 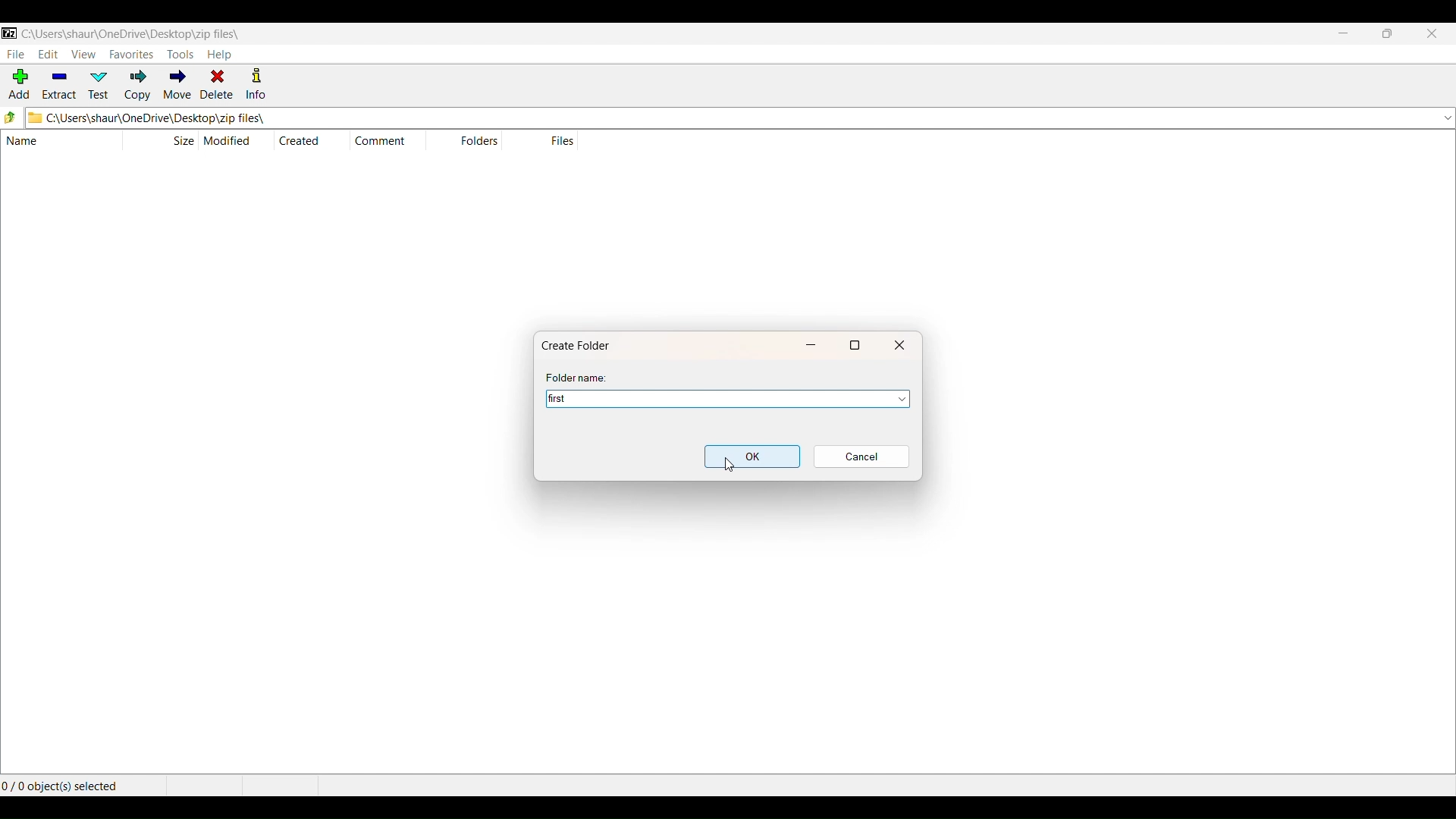 I want to click on AVAILABLE FOLDERS, so click(x=1445, y=118).